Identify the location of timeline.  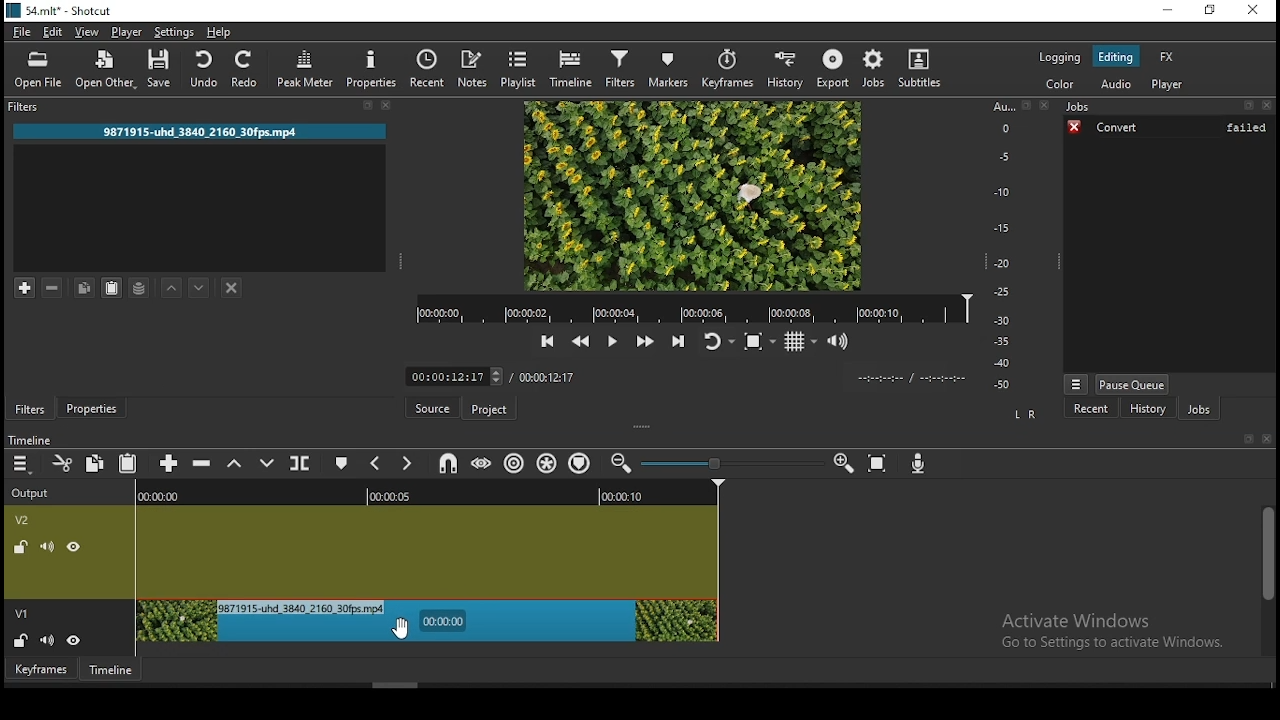
(573, 70).